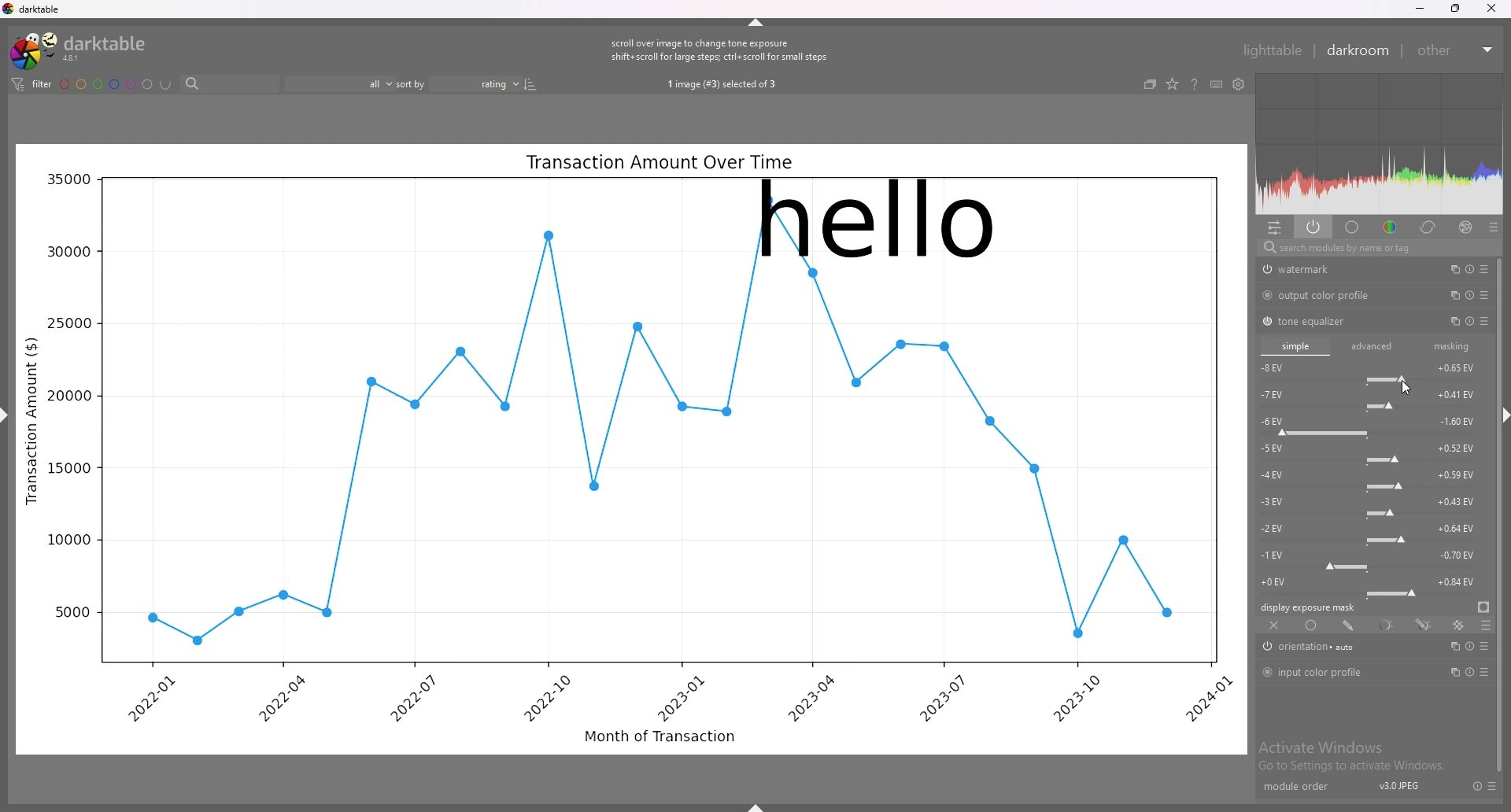 The width and height of the screenshot is (1511, 812). I want to click on hide sidebar, so click(1506, 417).